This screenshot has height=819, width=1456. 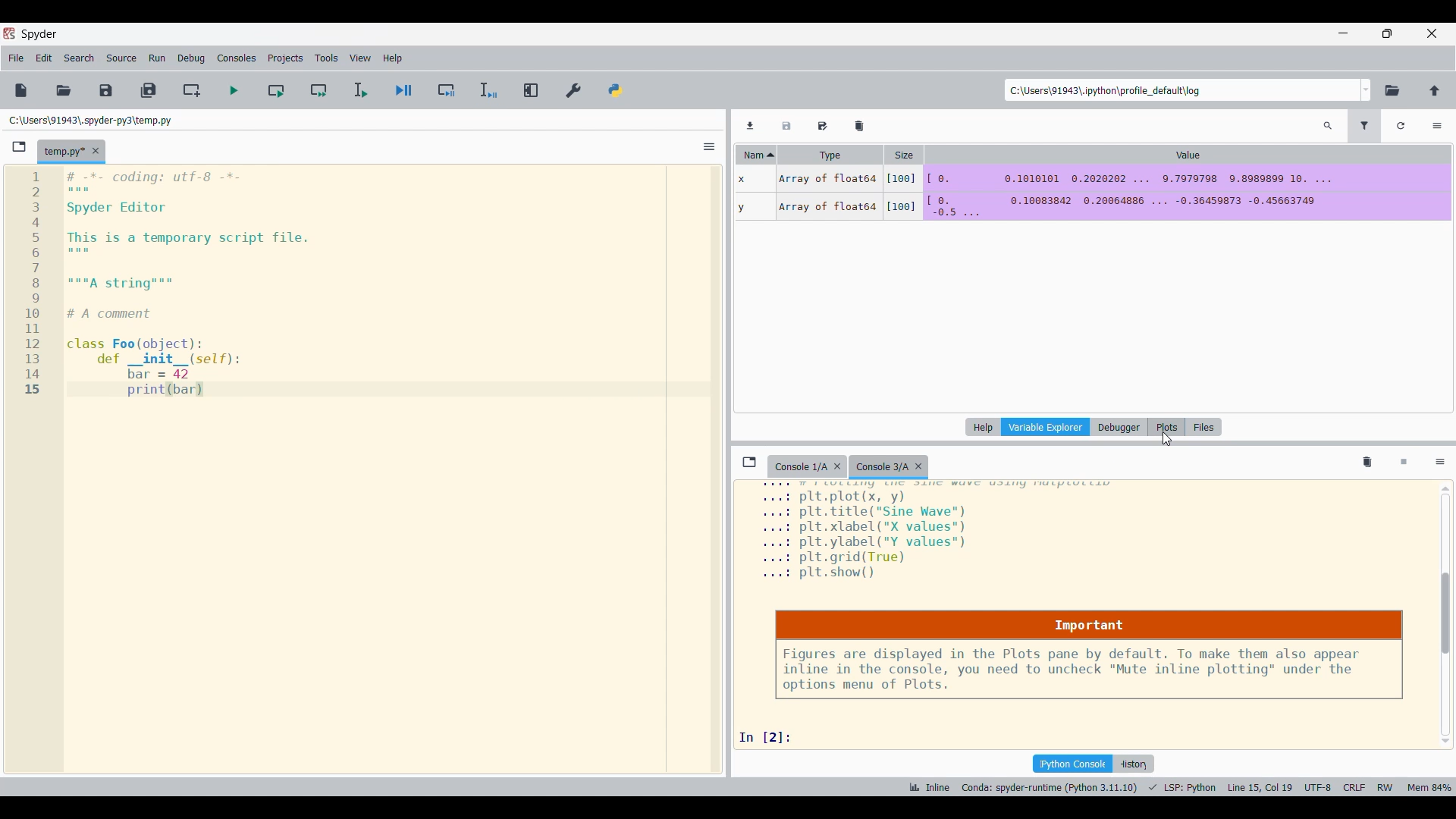 I want to click on Search menu, so click(x=80, y=58).